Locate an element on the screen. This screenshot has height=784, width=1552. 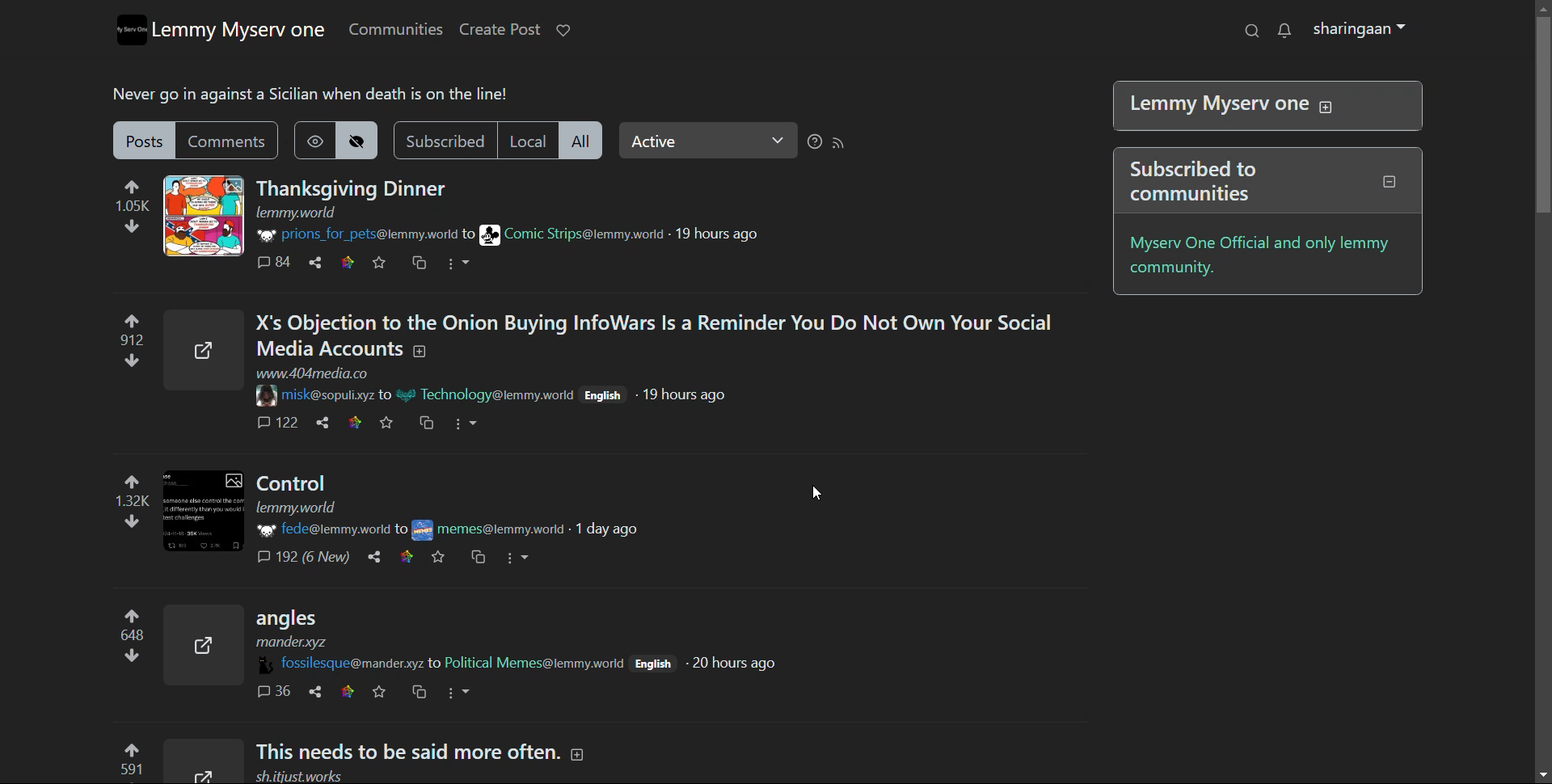
Lemmy Myserv one is located at coordinates (1261, 107).